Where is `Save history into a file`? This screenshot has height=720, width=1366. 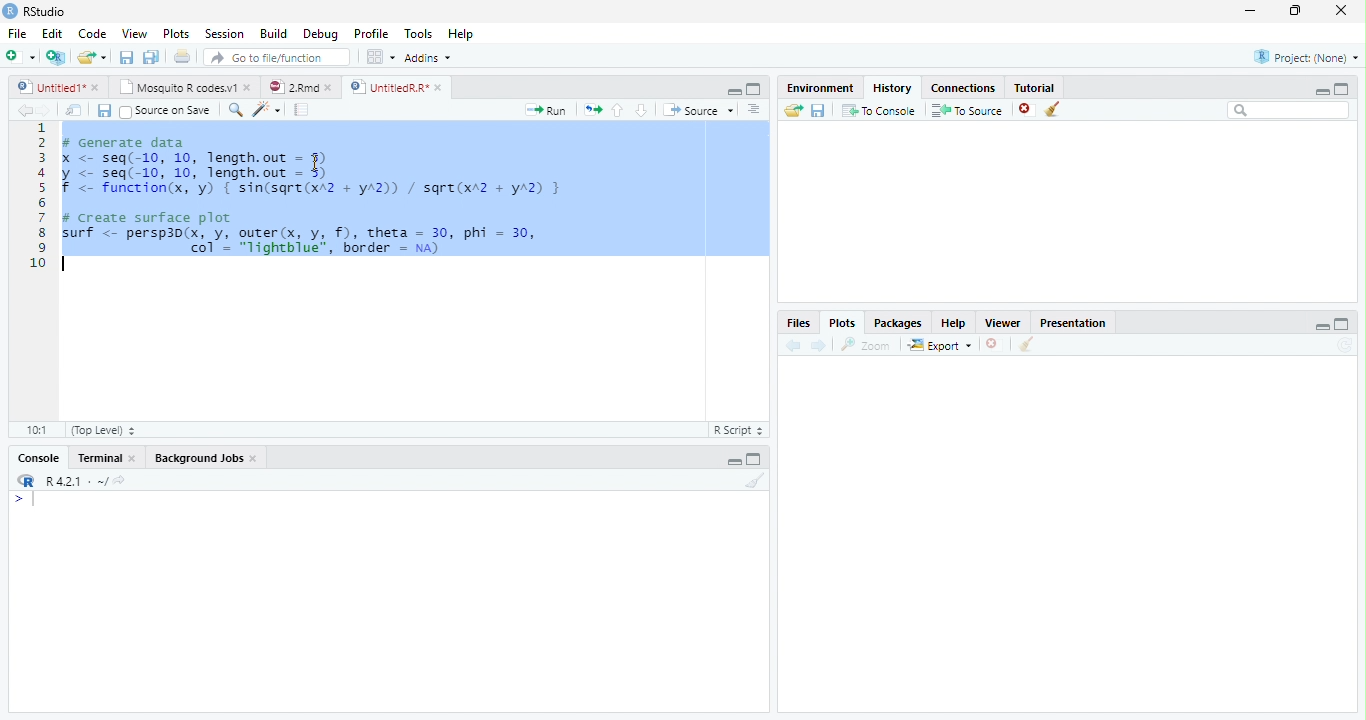 Save history into a file is located at coordinates (818, 110).